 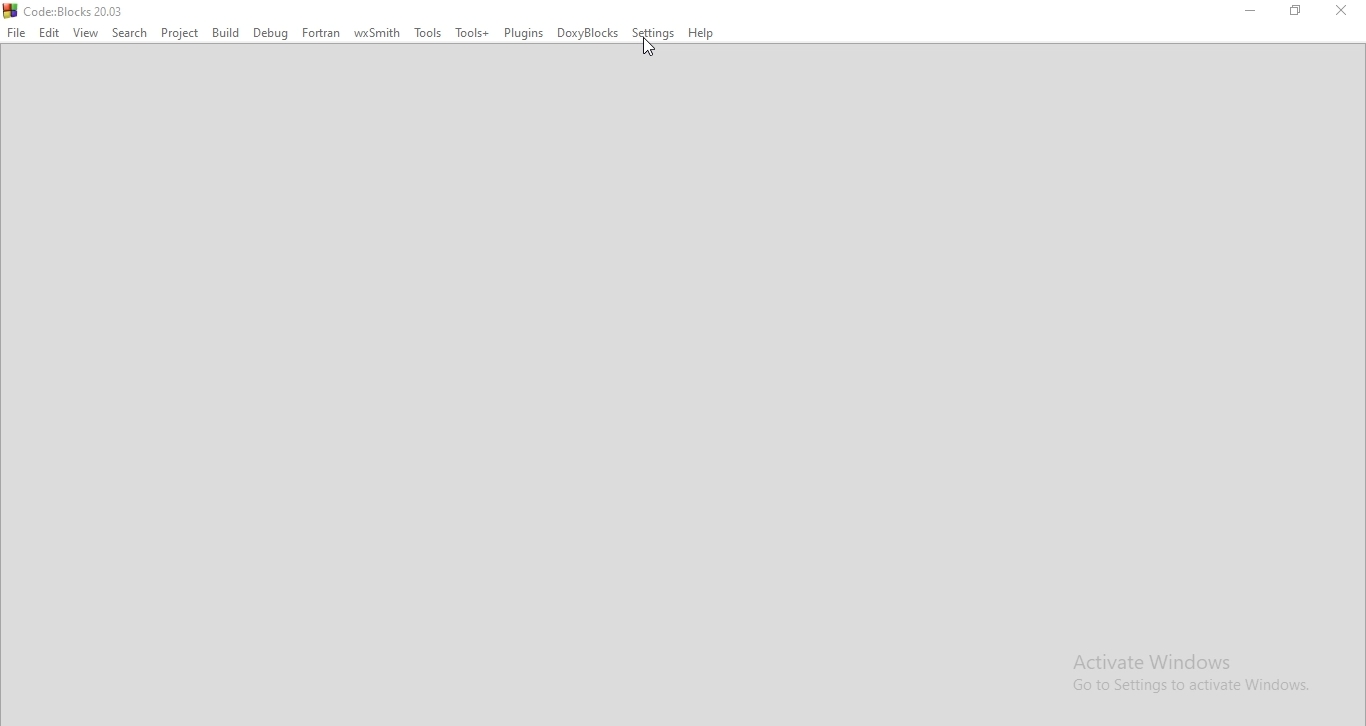 What do you see at coordinates (654, 34) in the screenshot?
I see `Settings` at bounding box center [654, 34].